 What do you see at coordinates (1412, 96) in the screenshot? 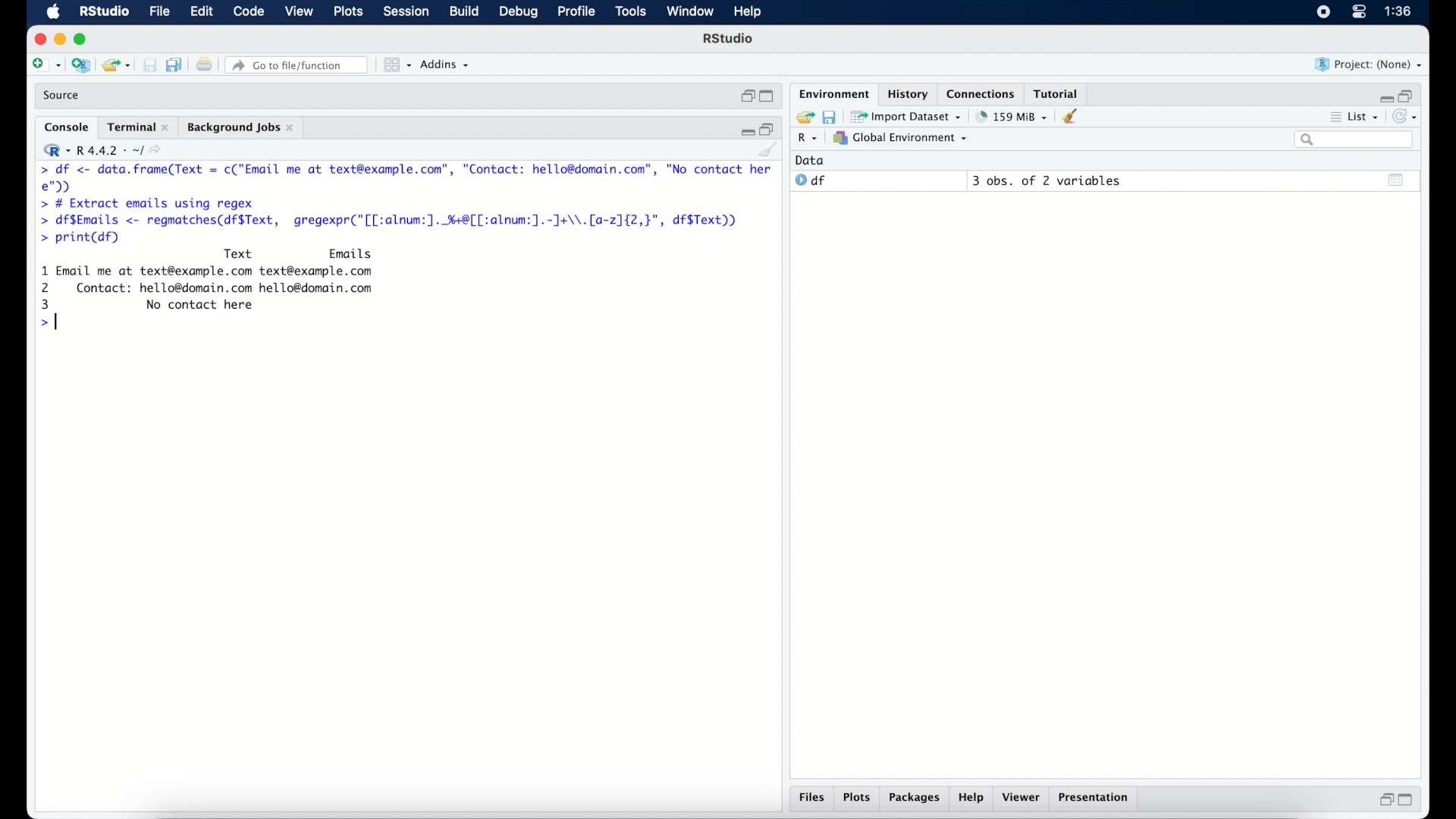
I see `restore down` at bounding box center [1412, 96].